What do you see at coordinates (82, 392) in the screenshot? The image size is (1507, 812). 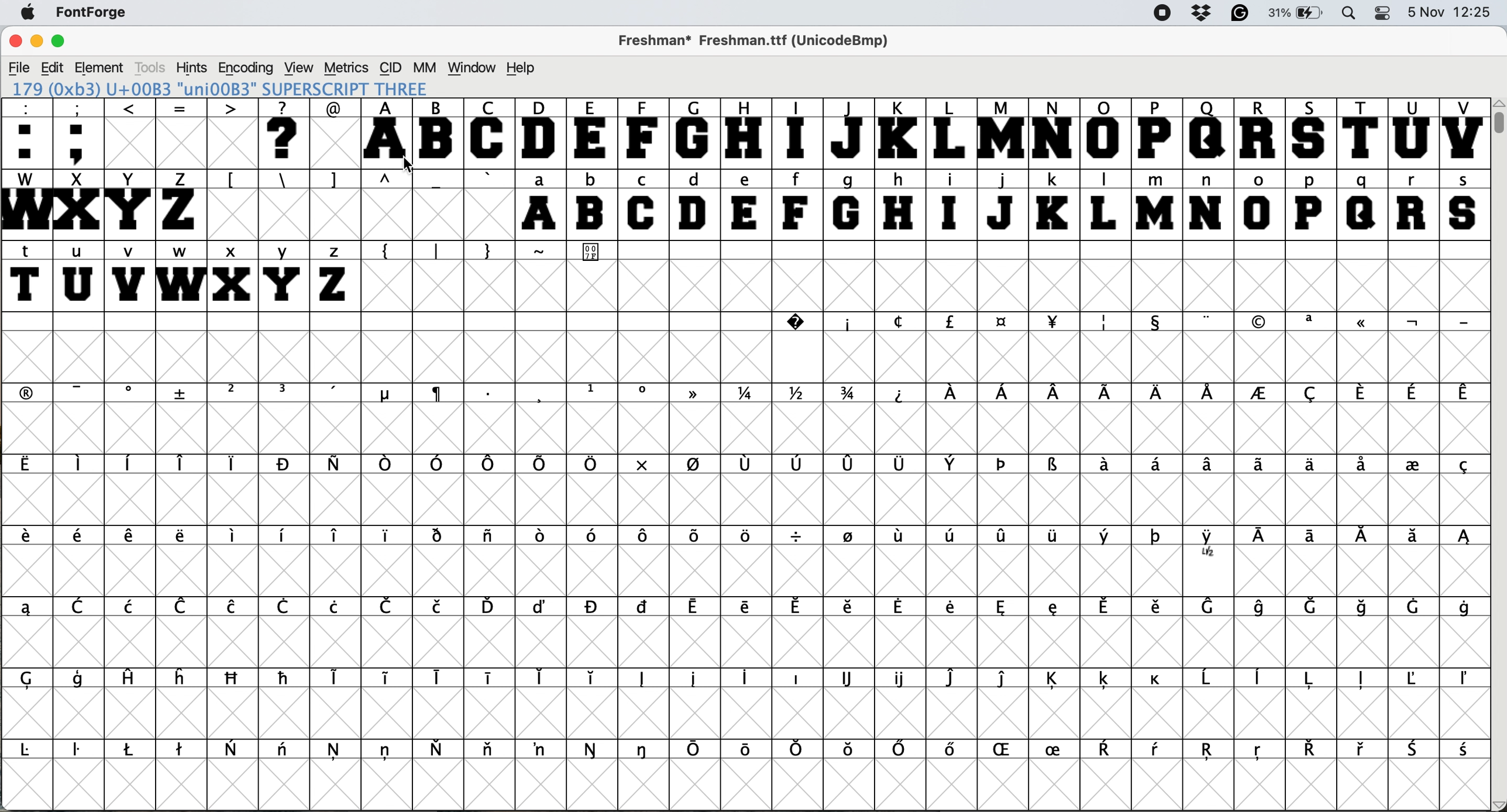 I see `symbol` at bounding box center [82, 392].